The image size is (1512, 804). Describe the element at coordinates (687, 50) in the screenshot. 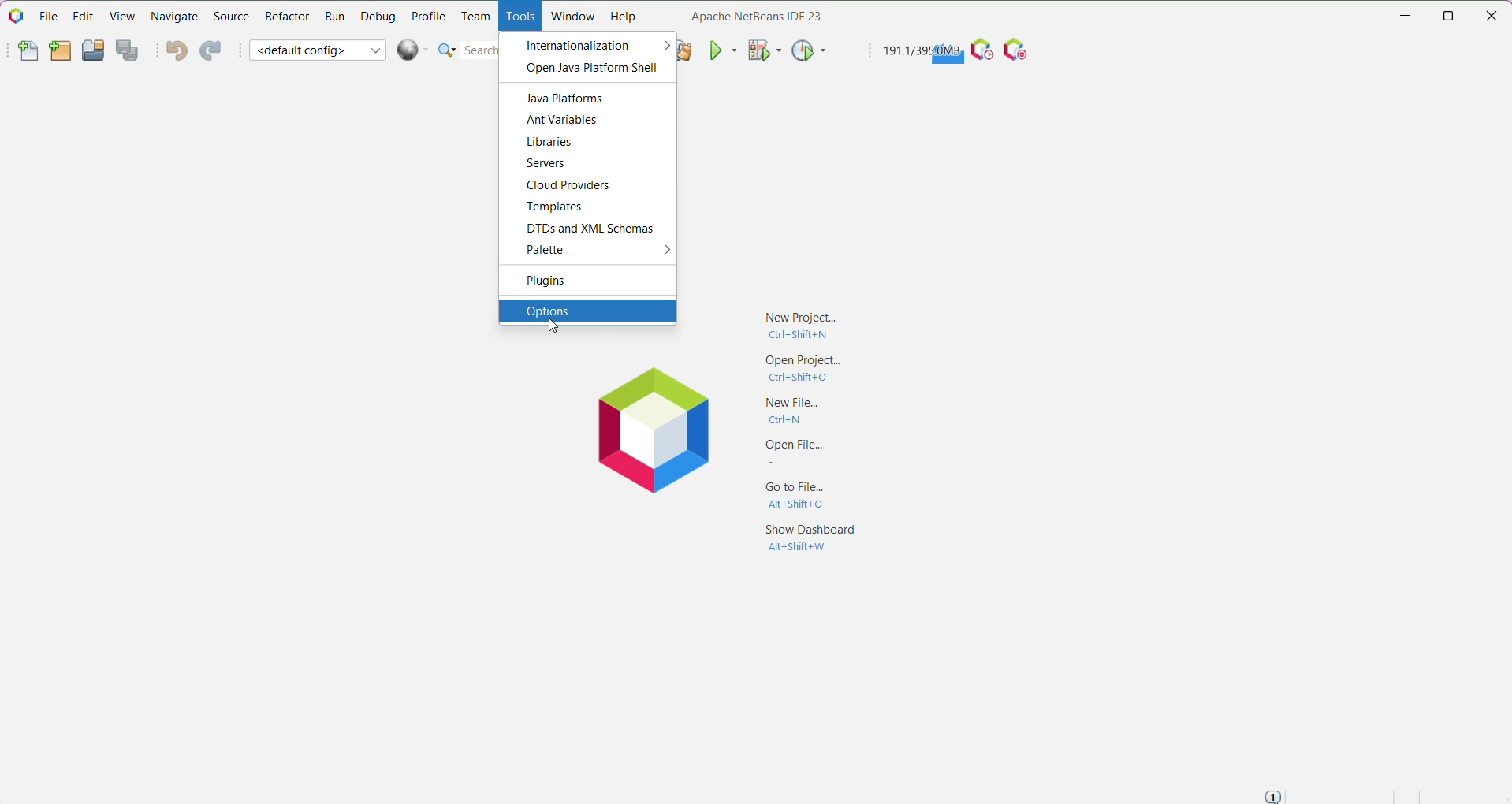

I see `Clean and Build Project` at that location.